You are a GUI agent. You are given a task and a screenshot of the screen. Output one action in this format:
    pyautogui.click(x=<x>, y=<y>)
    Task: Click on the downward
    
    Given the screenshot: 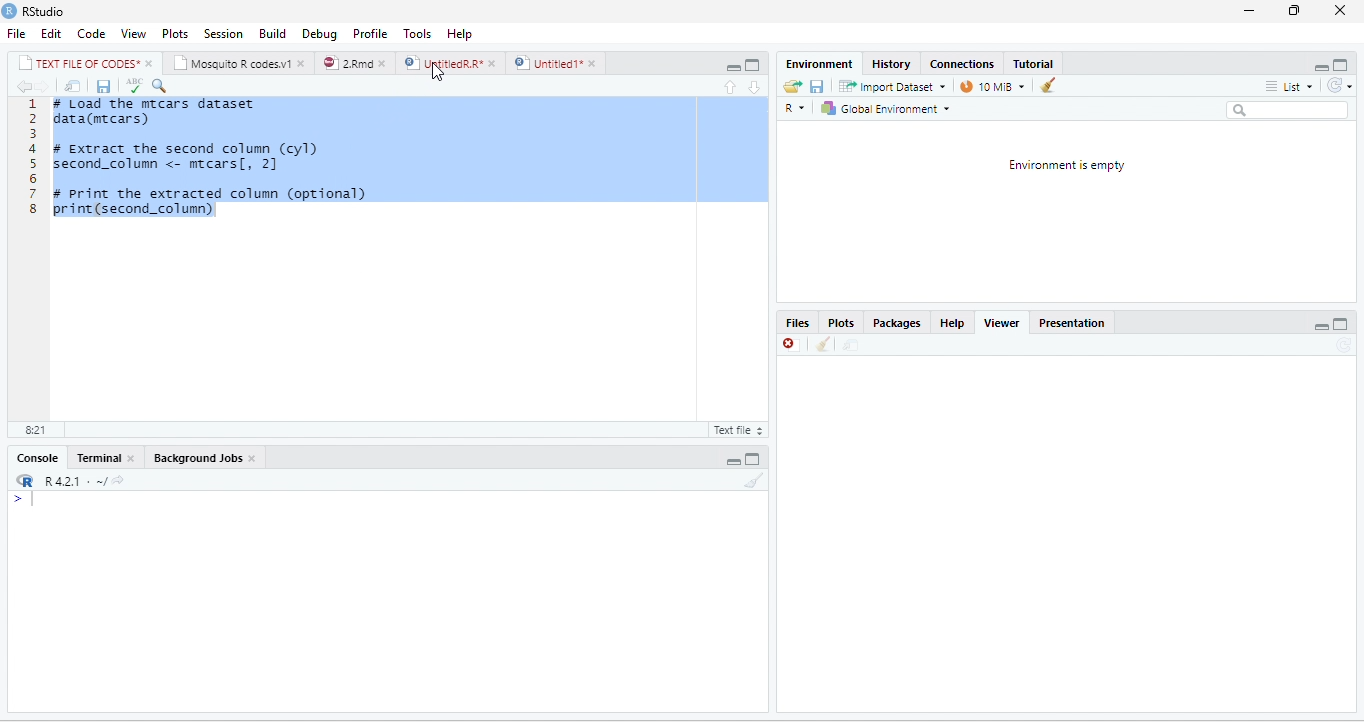 What is the action you would take?
    pyautogui.click(x=755, y=87)
    